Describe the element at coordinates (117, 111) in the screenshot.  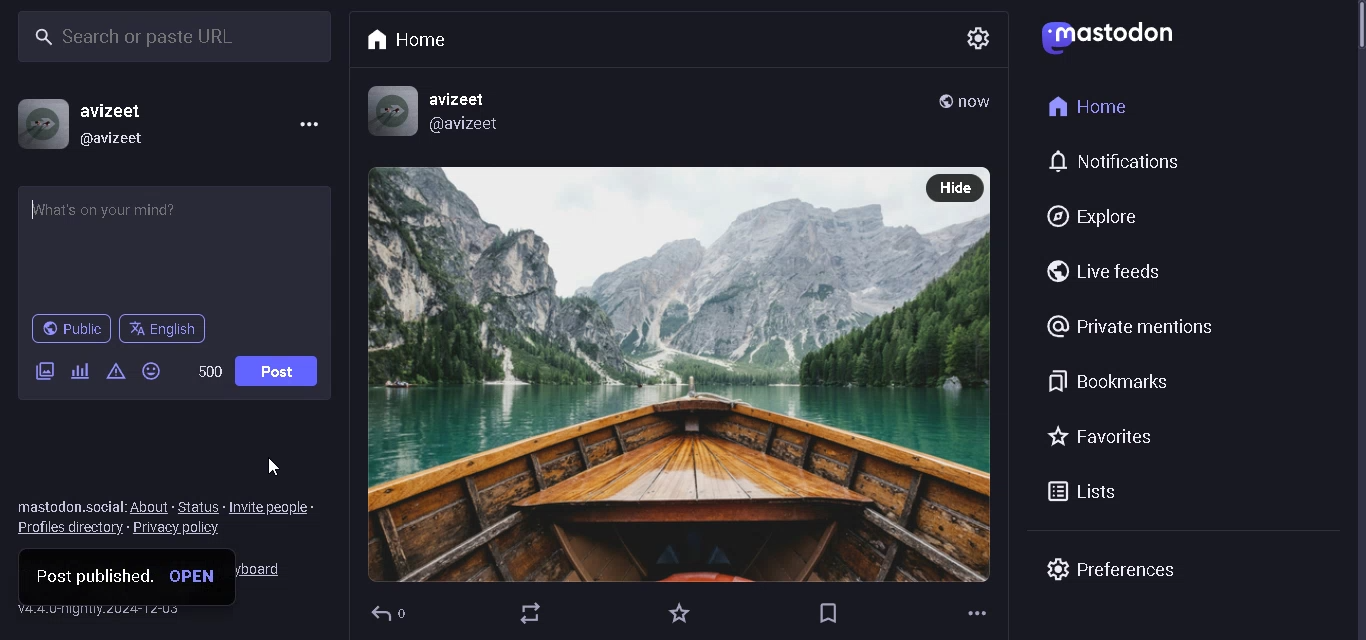
I see `username` at that location.